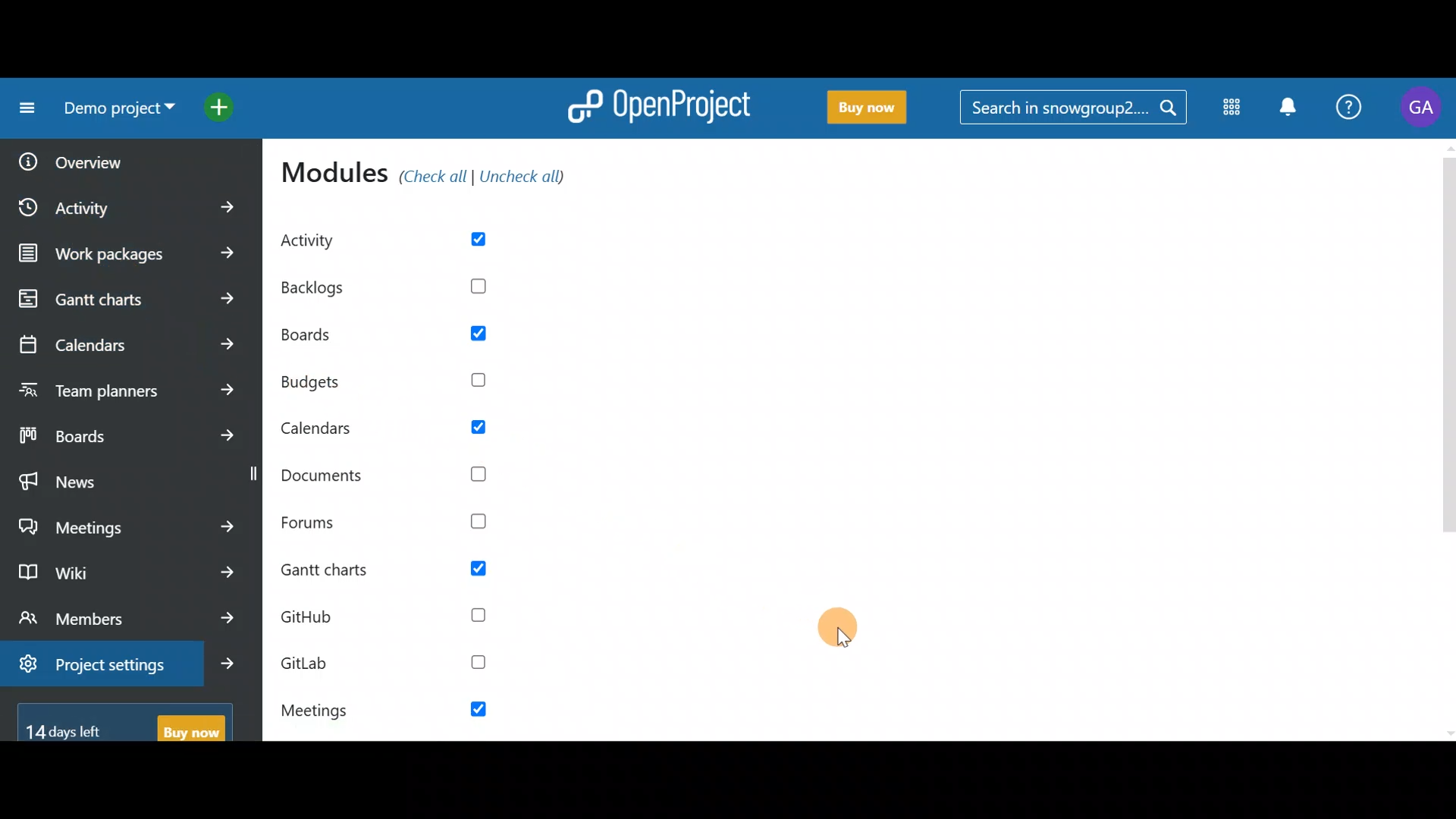 This screenshot has height=819, width=1456. What do you see at coordinates (392, 472) in the screenshot?
I see `Documents` at bounding box center [392, 472].